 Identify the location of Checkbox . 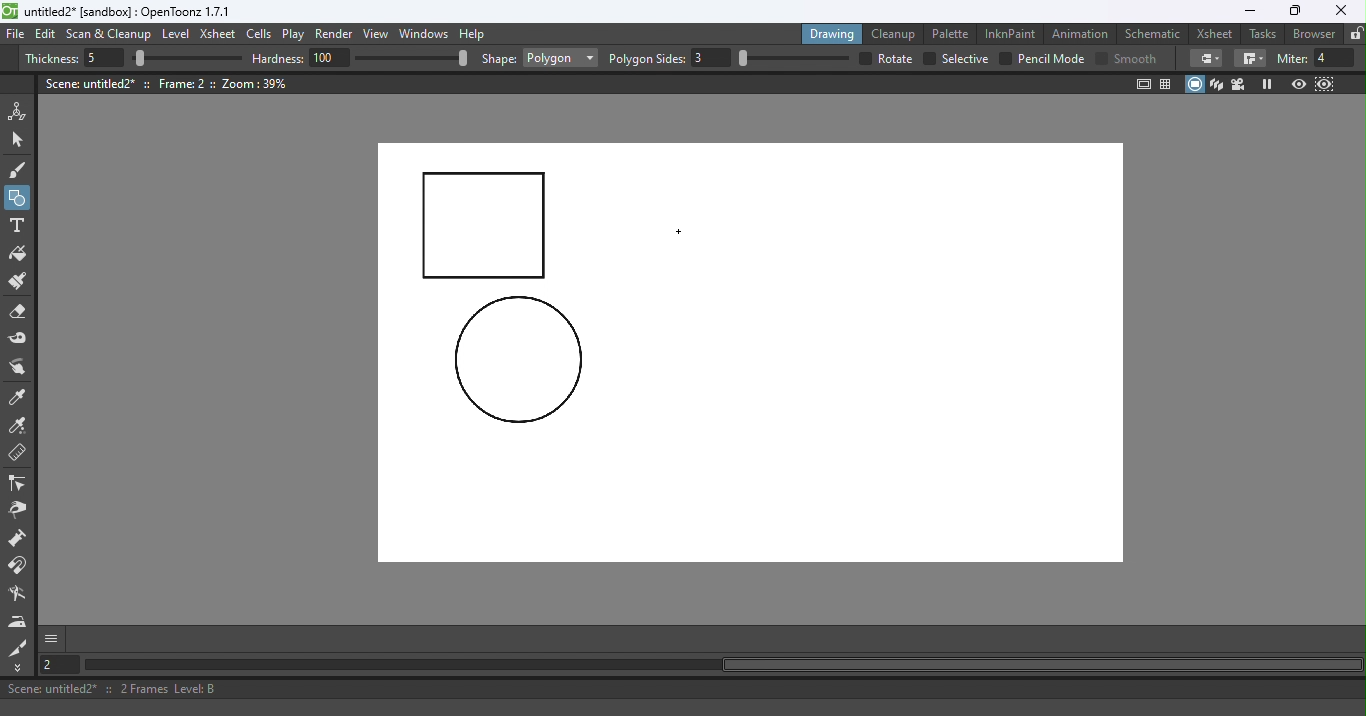
(1101, 57).